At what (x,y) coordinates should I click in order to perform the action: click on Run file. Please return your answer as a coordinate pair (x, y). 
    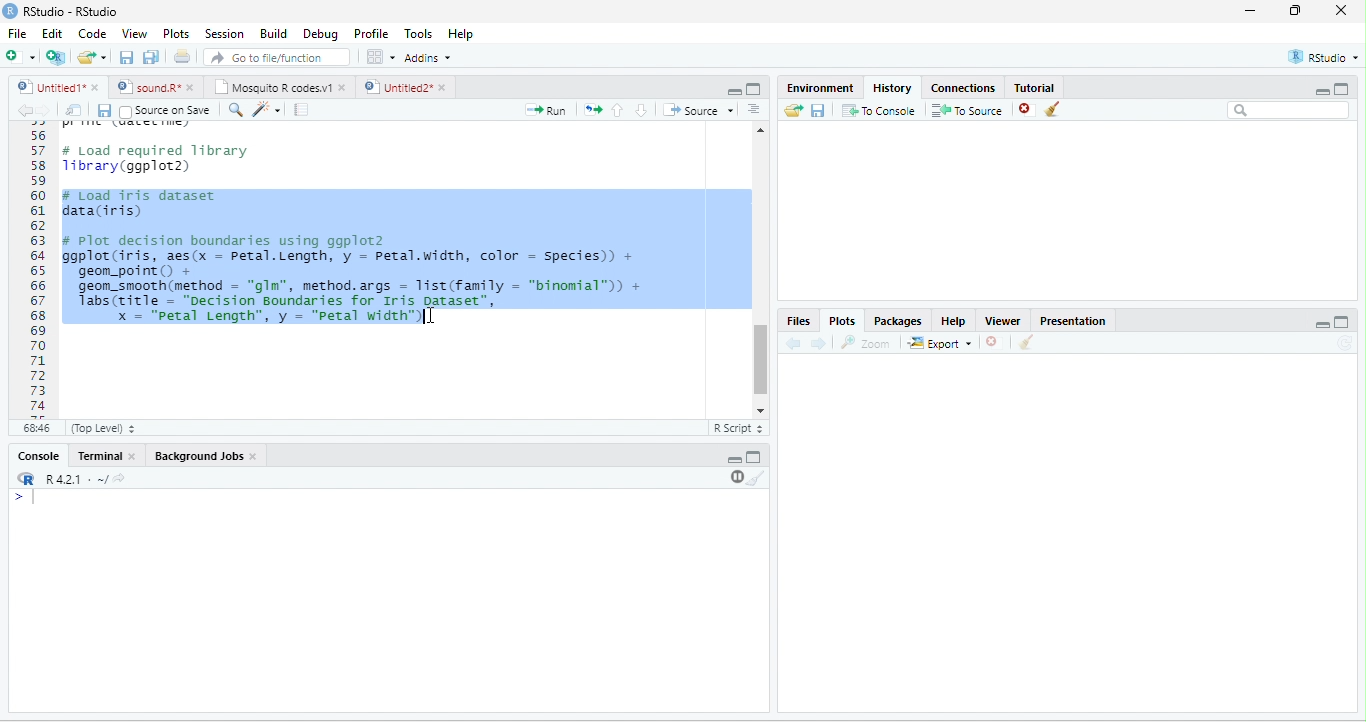
    Looking at the image, I should click on (545, 110).